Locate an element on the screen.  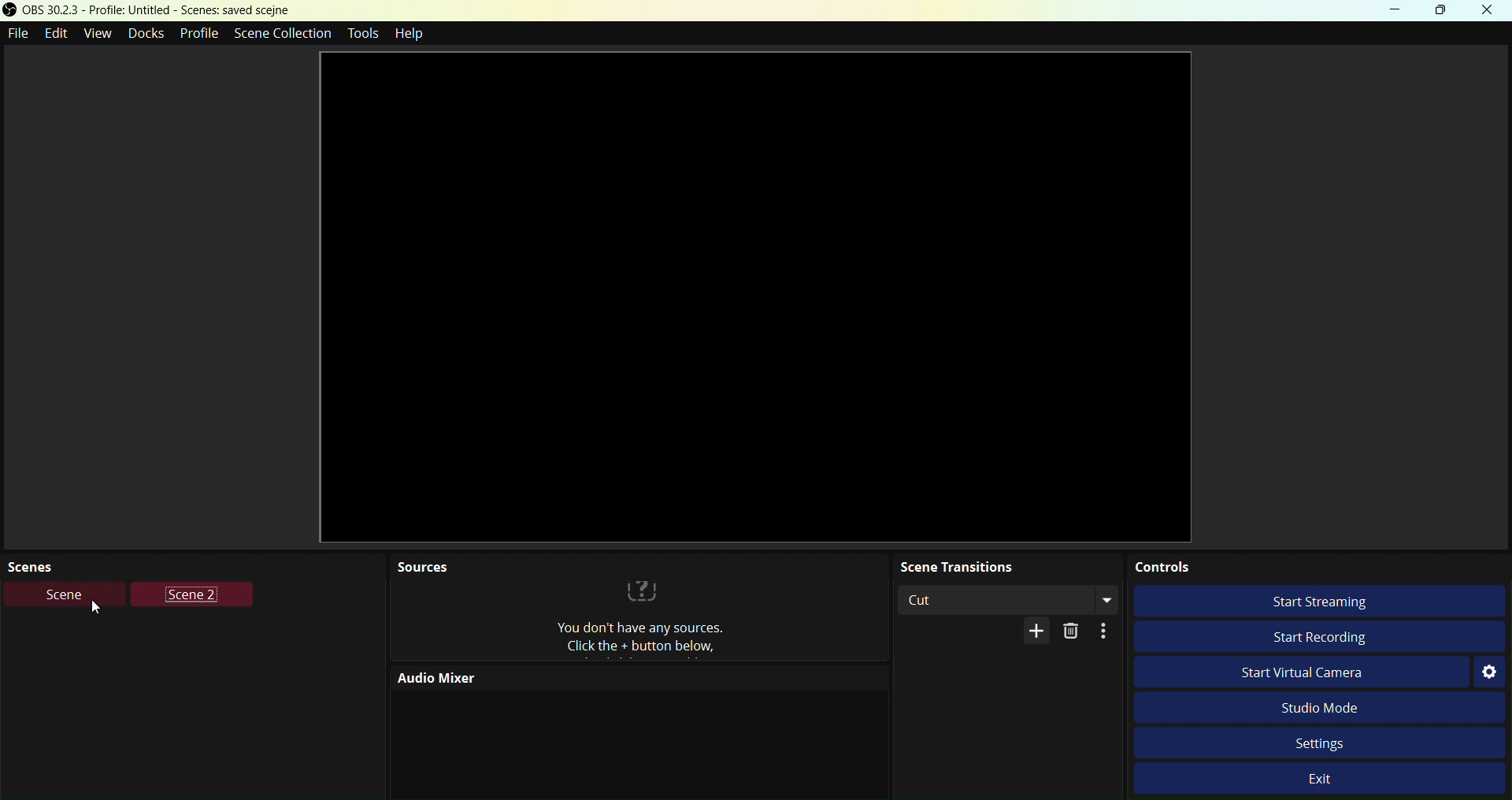
View is located at coordinates (100, 35).